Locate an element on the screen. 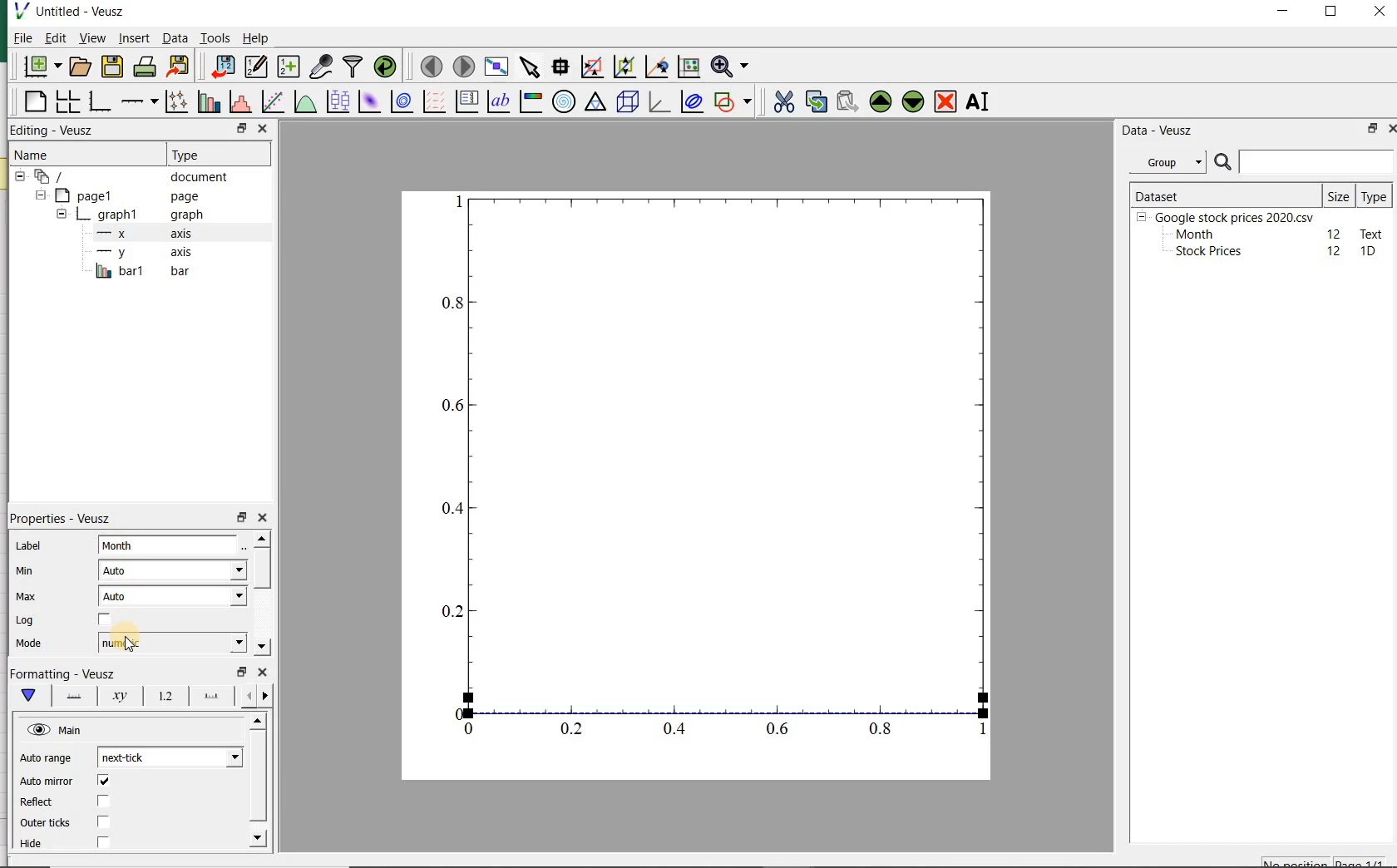  plot a 2d dataset as contours is located at coordinates (399, 103).